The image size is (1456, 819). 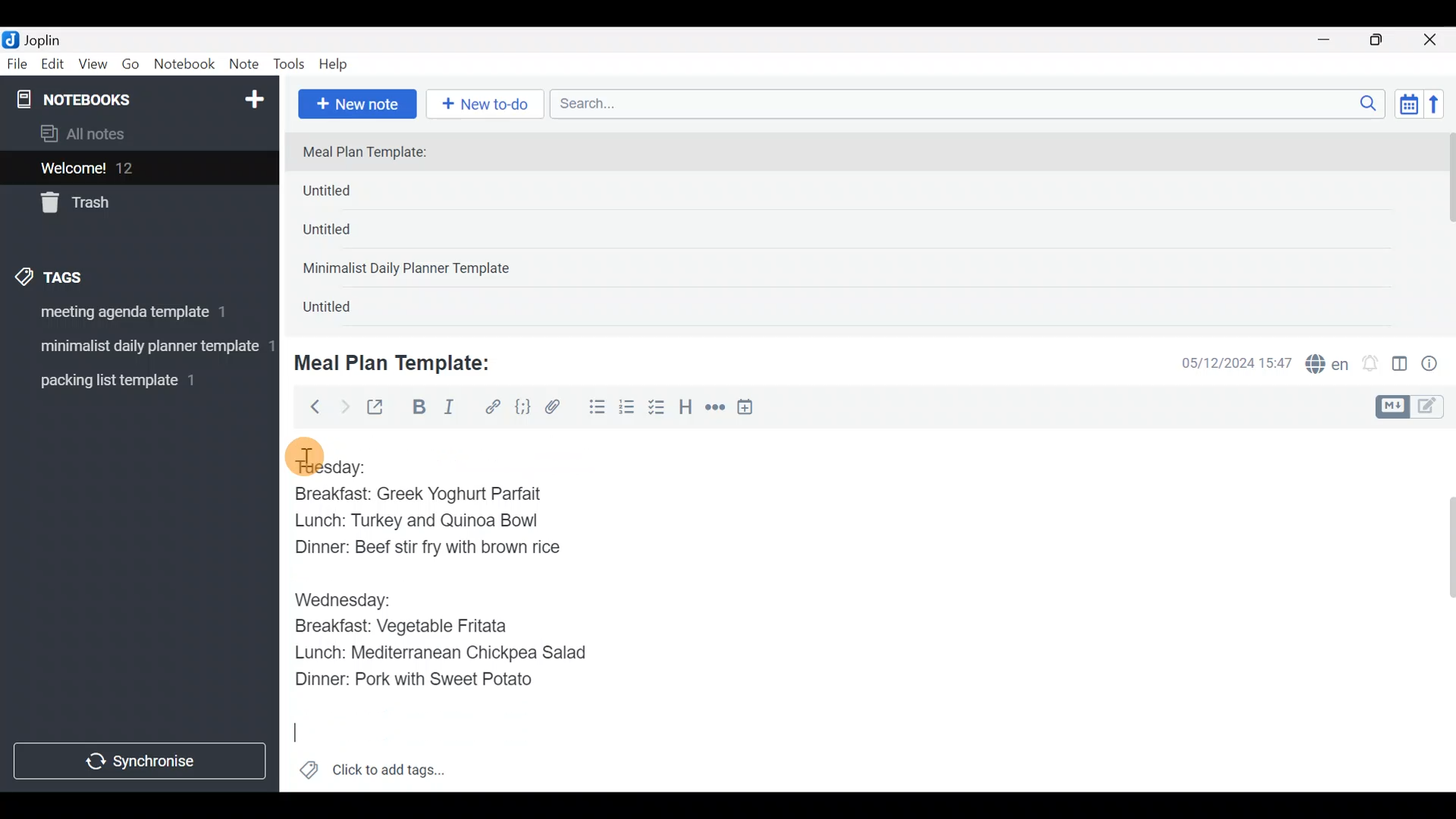 I want to click on Untitled, so click(x=352, y=194).